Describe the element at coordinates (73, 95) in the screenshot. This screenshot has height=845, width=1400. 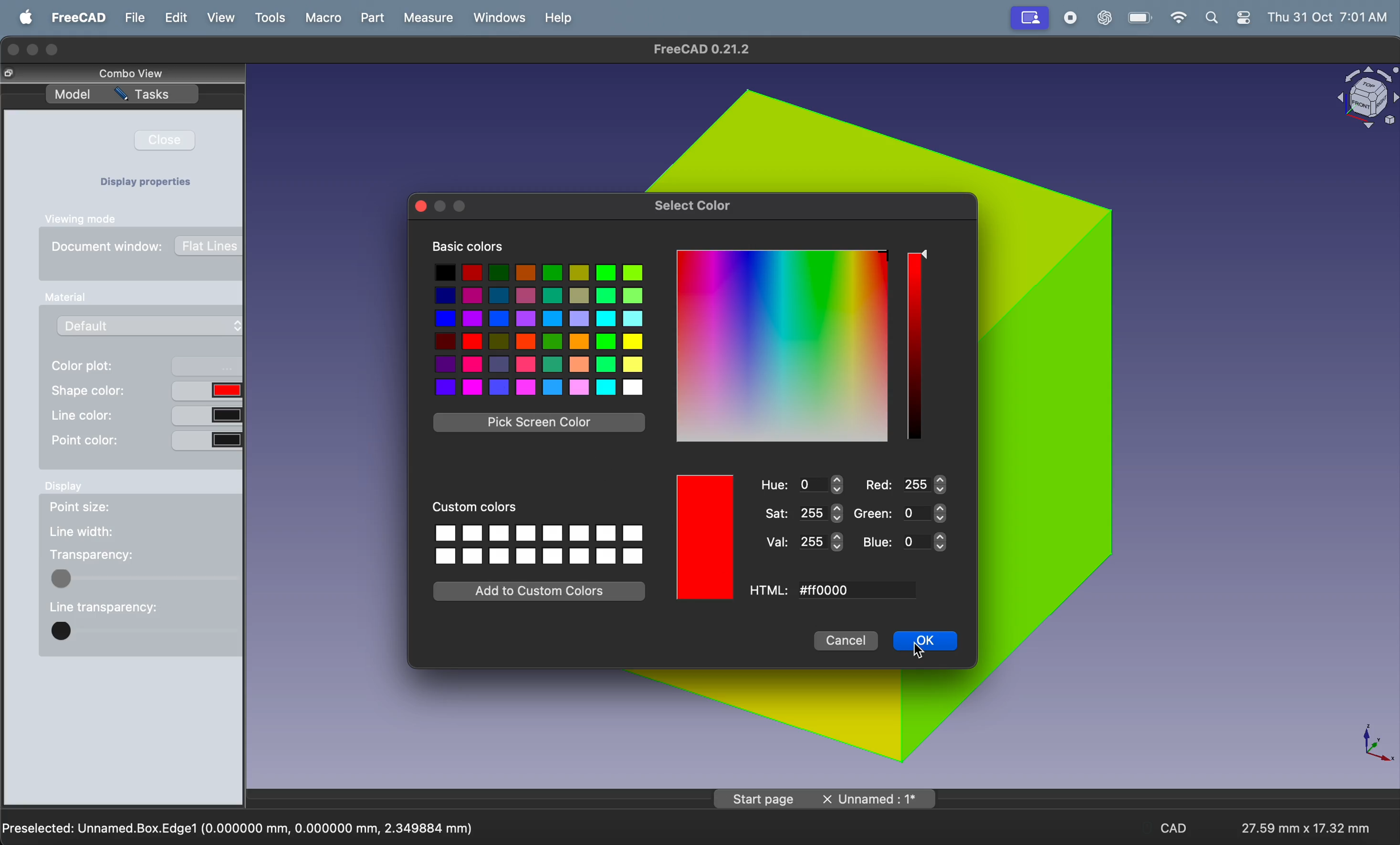
I see `model` at that location.